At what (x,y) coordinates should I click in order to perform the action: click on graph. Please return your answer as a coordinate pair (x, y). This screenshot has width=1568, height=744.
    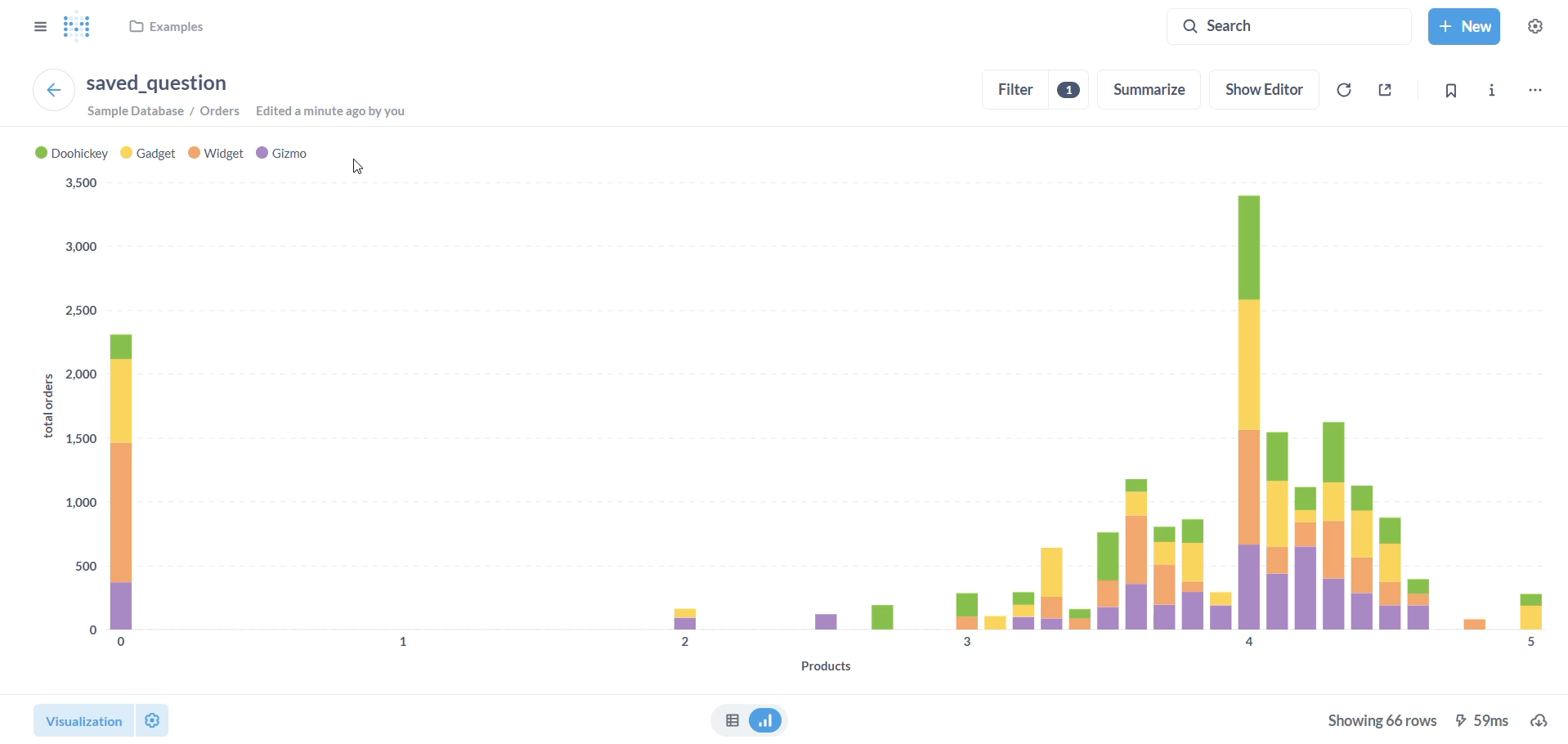
    Looking at the image, I should click on (770, 722).